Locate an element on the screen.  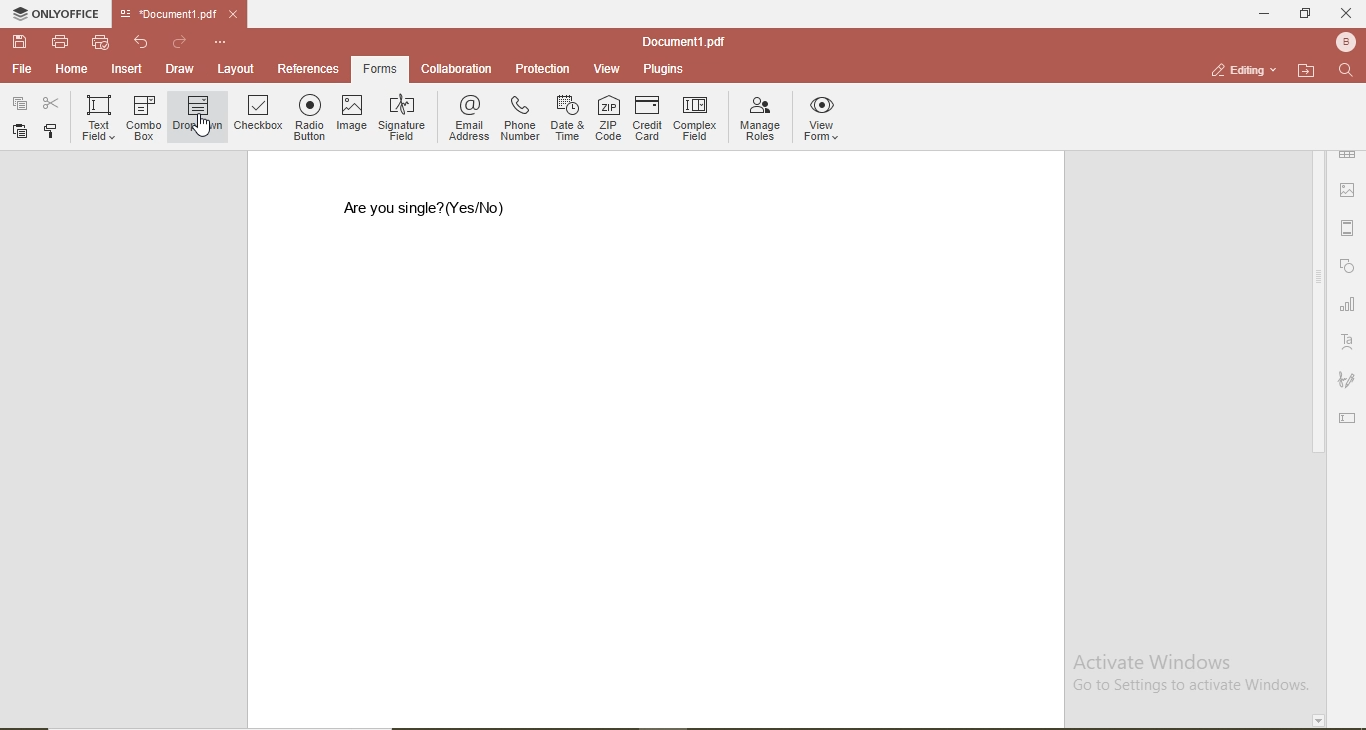
are you single? (Yes/No) is located at coordinates (430, 210).